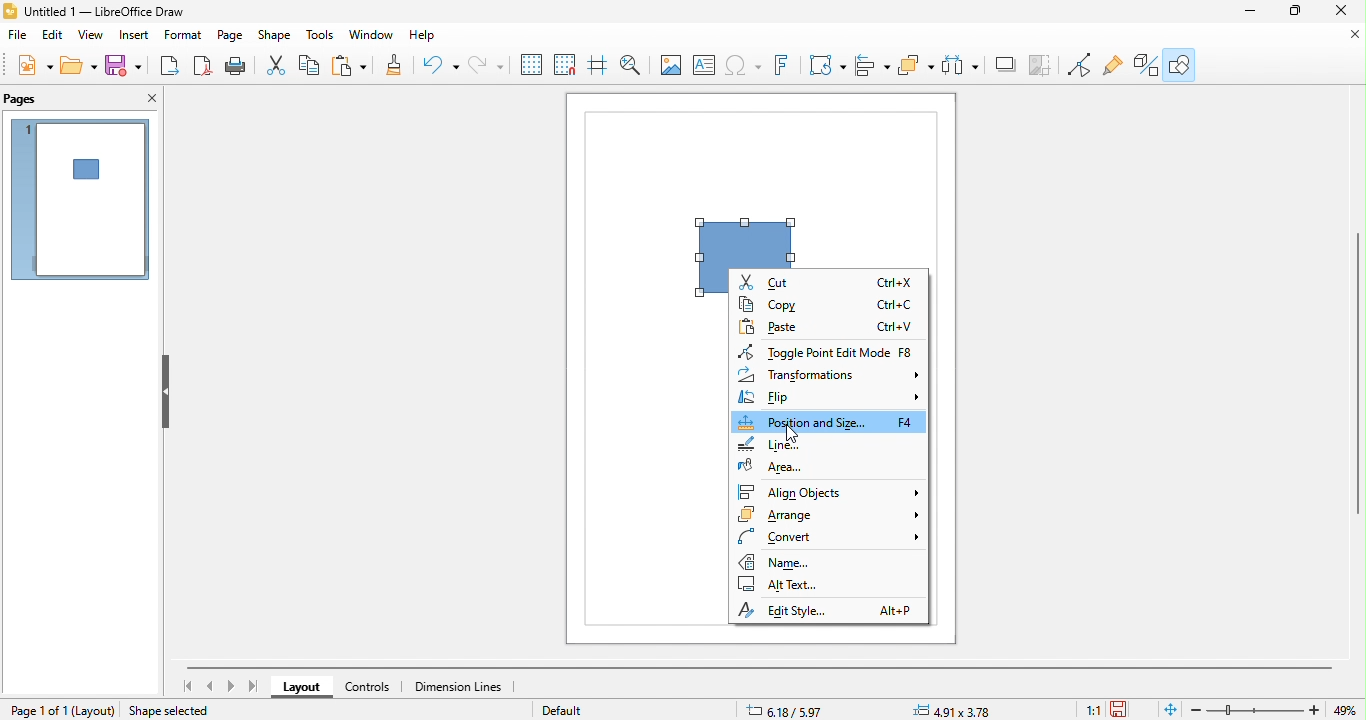 This screenshot has width=1366, height=720. Describe the element at coordinates (829, 491) in the screenshot. I see `align objects` at that location.